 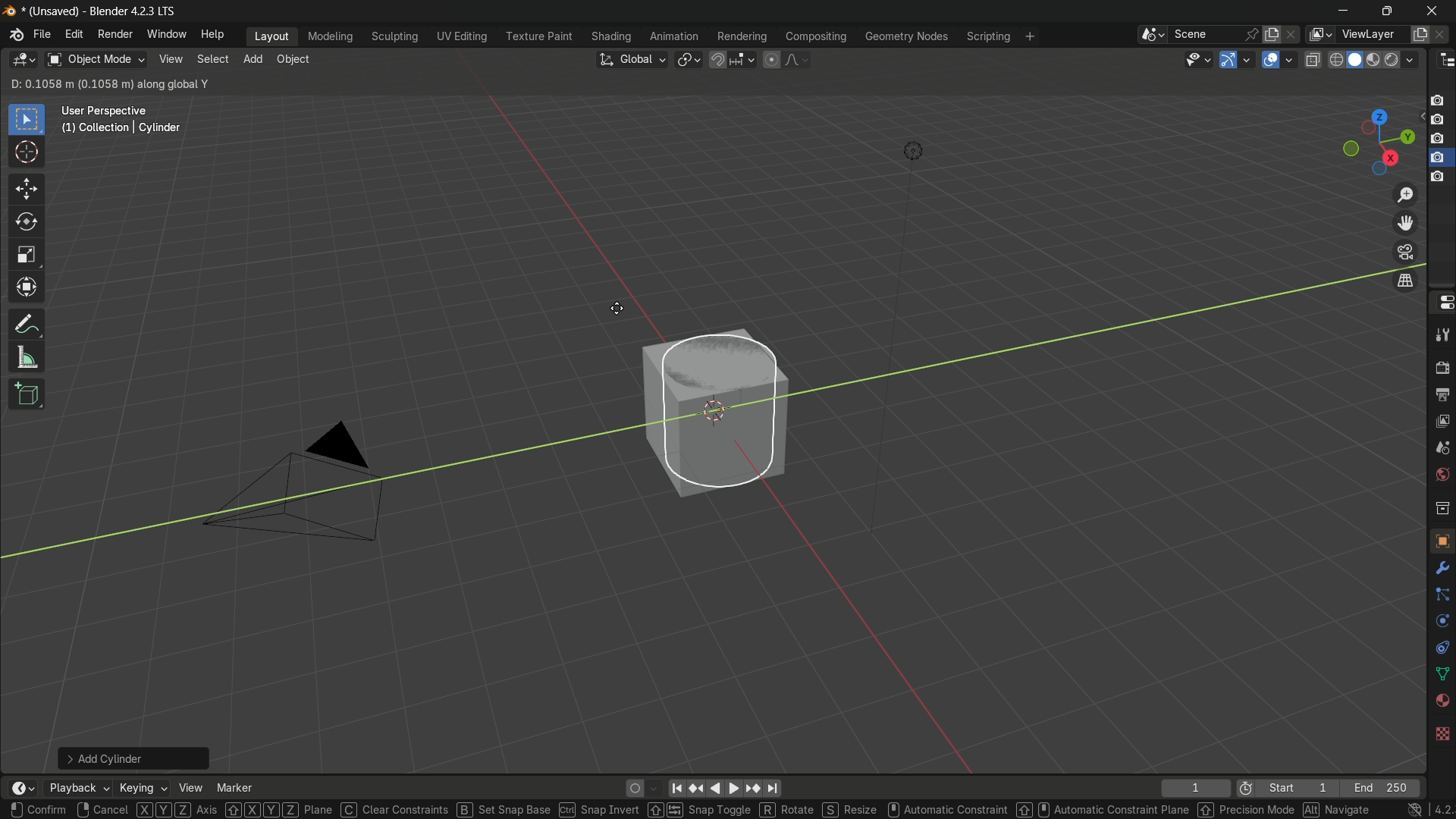 I want to click on texture paint menu, so click(x=540, y=36).